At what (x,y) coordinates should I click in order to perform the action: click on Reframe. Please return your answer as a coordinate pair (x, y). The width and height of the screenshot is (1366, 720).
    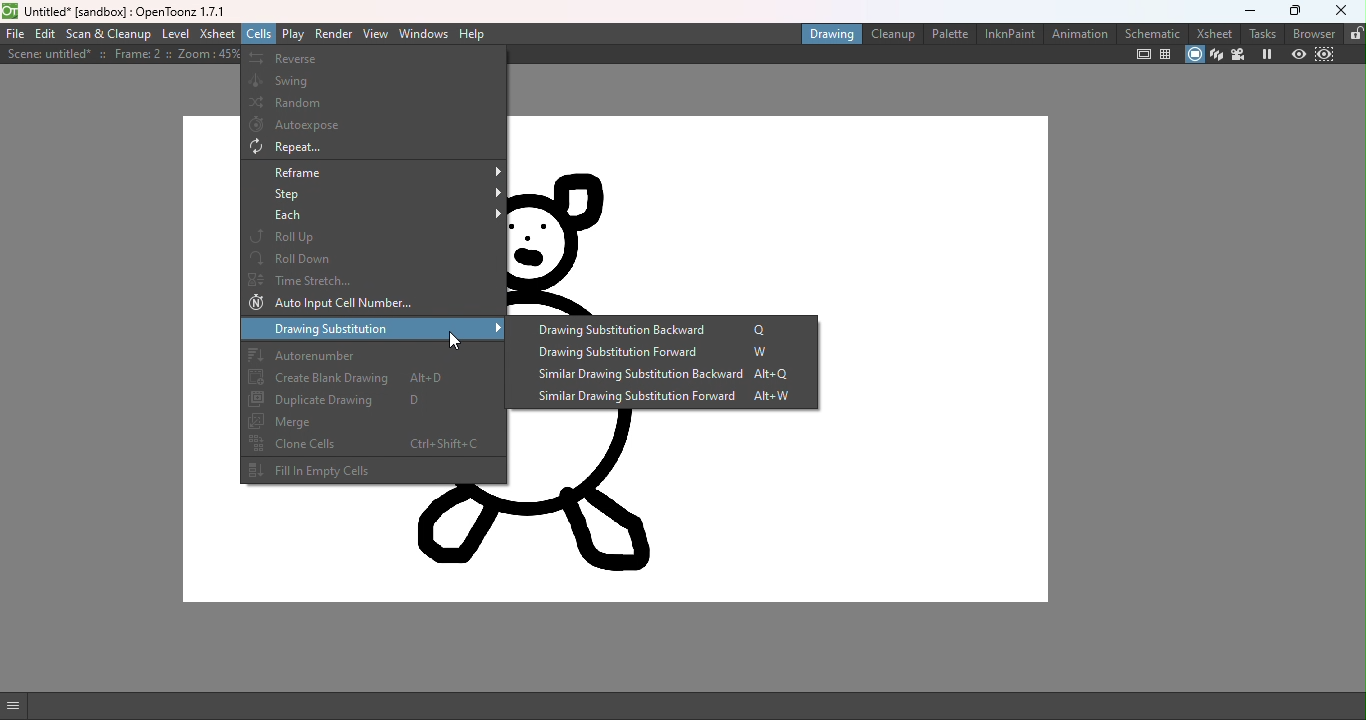
    Looking at the image, I should click on (373, 172).